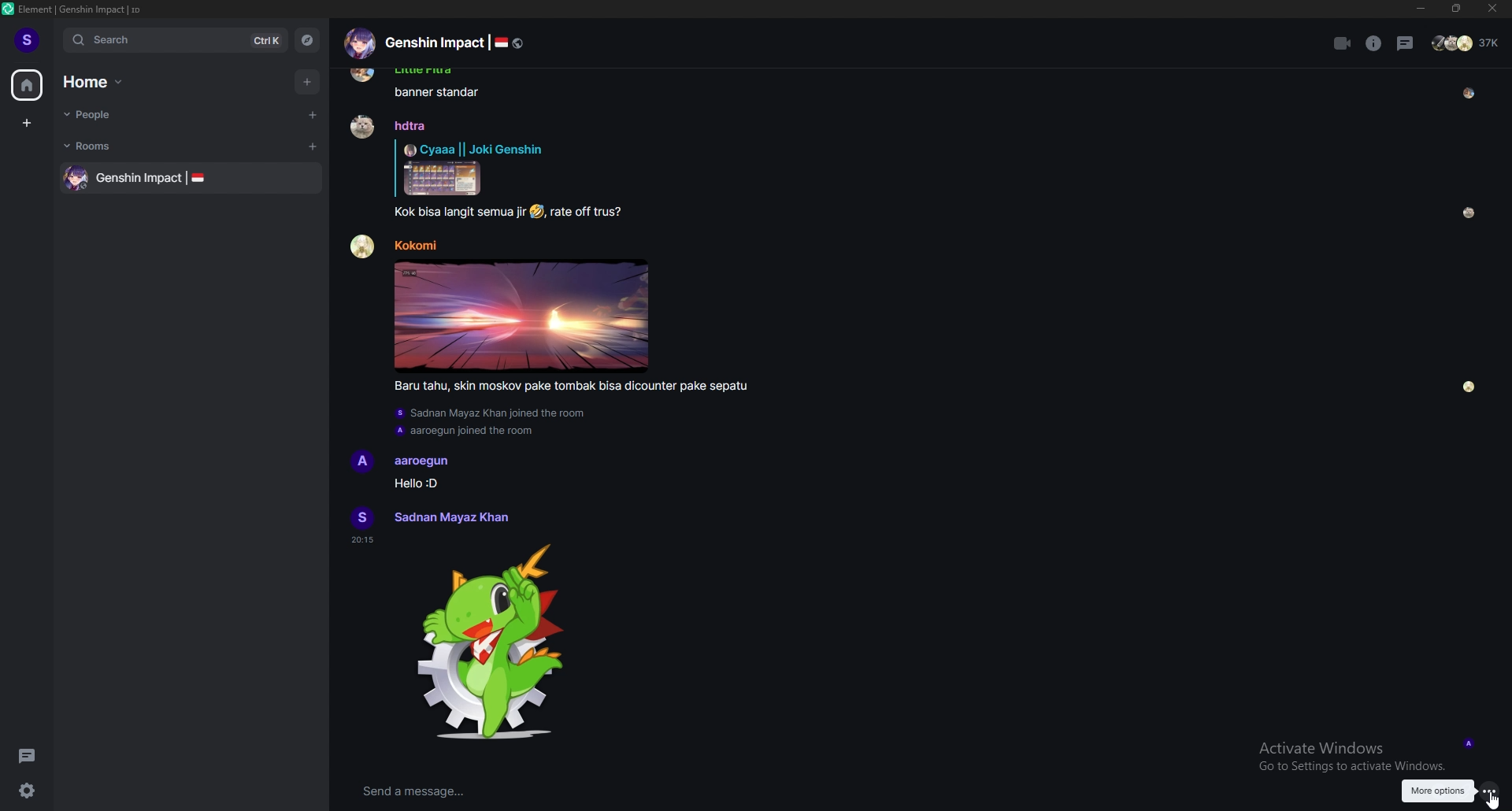  What do you see at coordinates (172, 39) in the screenshot?
I see `search` at bounding box center [172, 39].